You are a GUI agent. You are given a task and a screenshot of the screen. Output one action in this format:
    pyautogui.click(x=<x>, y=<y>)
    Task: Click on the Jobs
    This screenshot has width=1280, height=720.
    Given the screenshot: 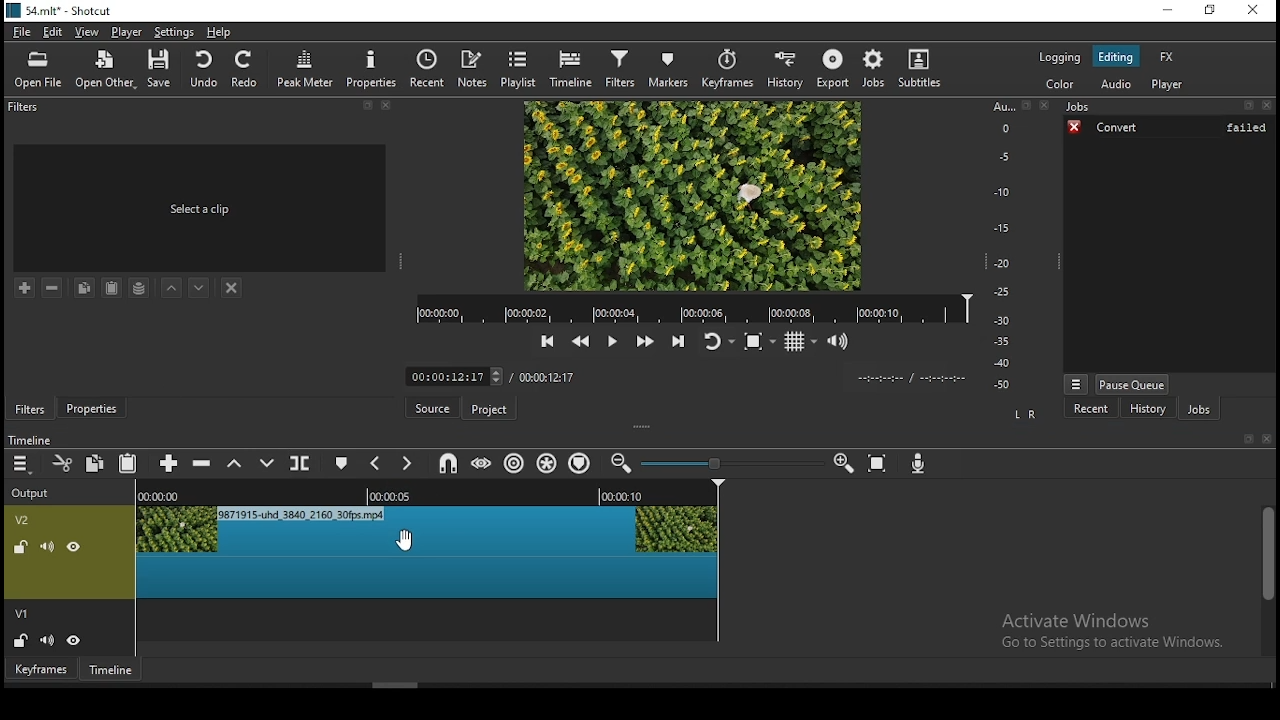 What is the action you would take?
    pyautogui.click(x=1168, y=107)
    